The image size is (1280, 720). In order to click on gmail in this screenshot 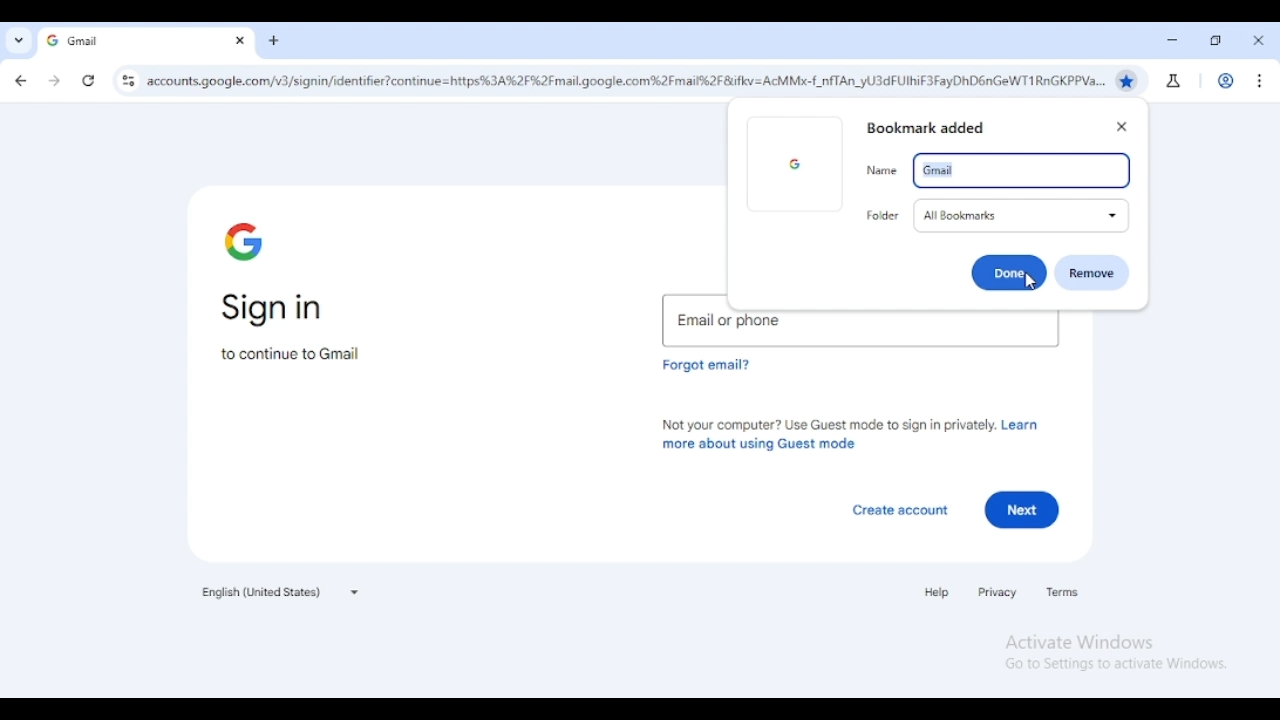, I will do `click(1024, 171)`.